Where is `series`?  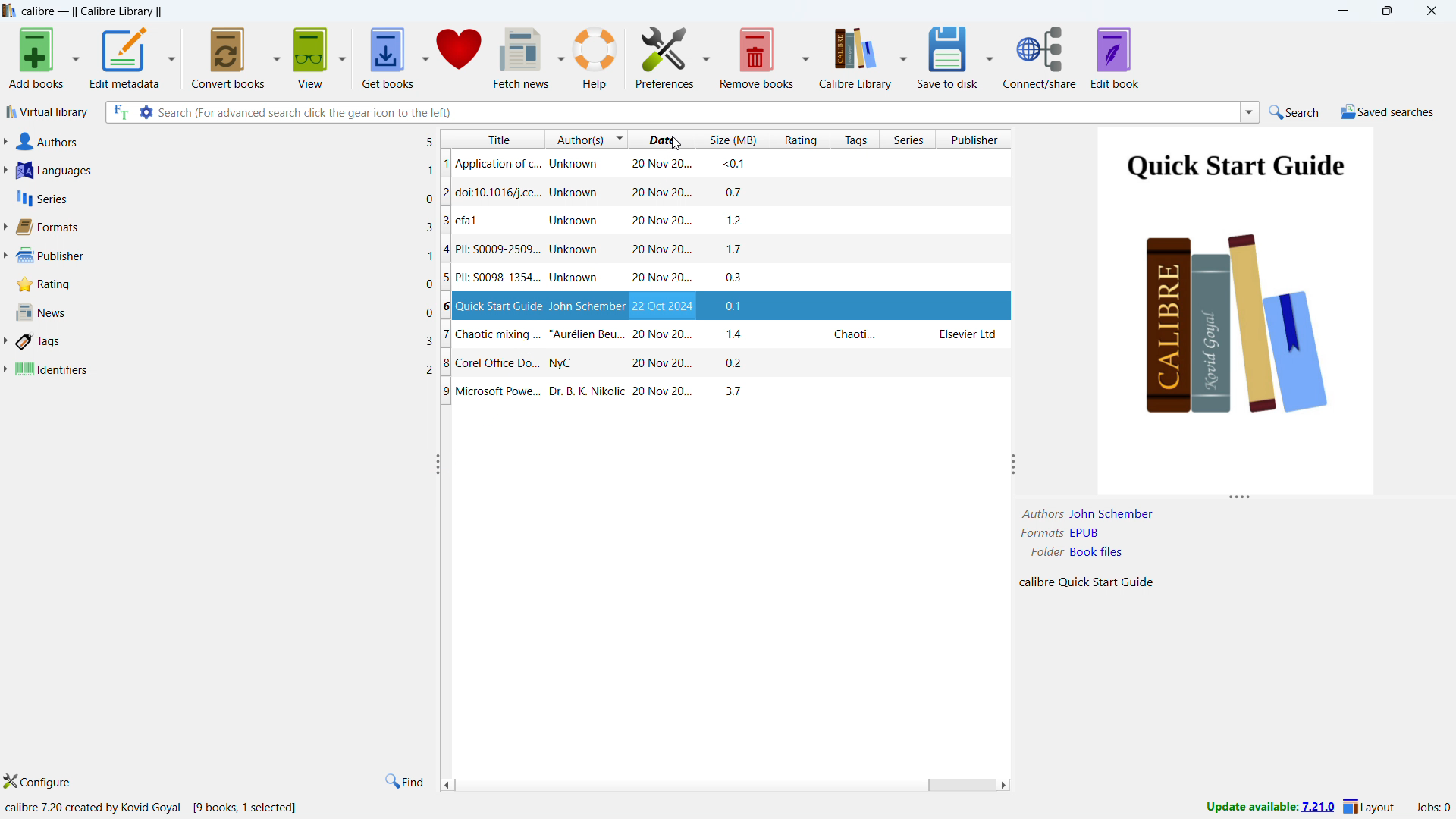
series is located at coordinates (224, 197).